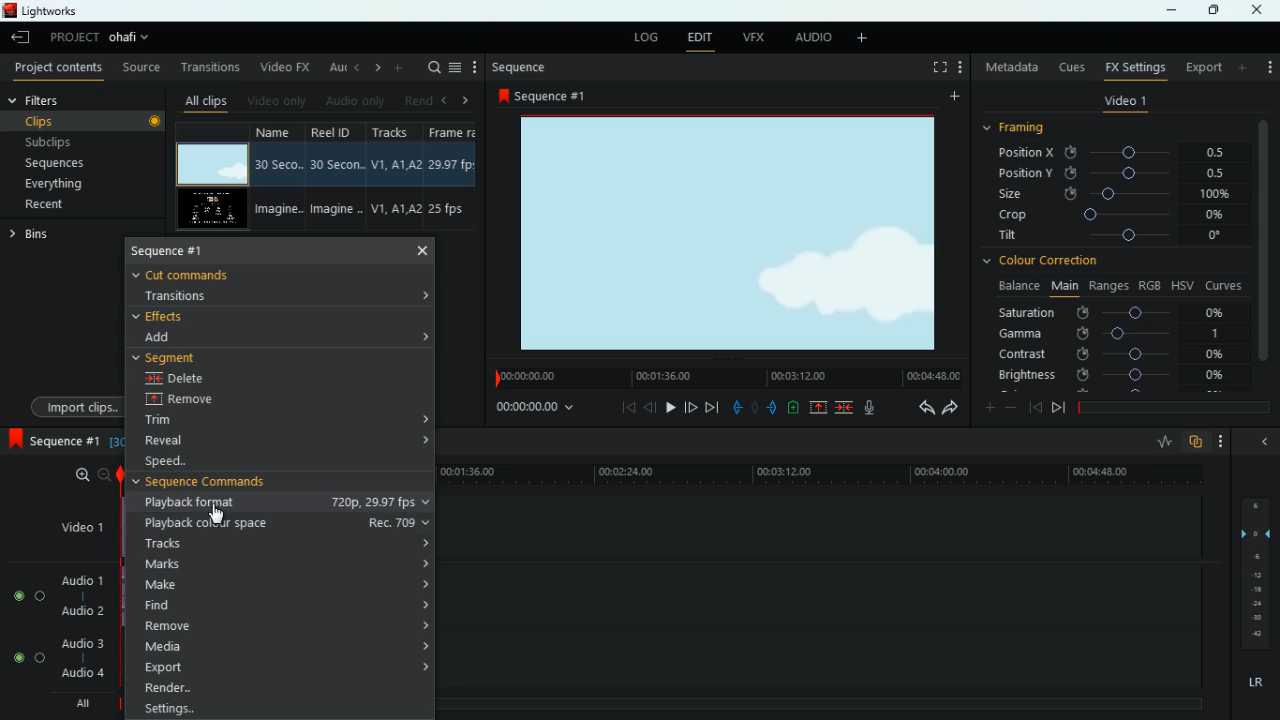 The height and width of the screenshot is (720, 1280). Describe the element at coordinates (868, 409) in the screenshot. I see `mic` at that location.